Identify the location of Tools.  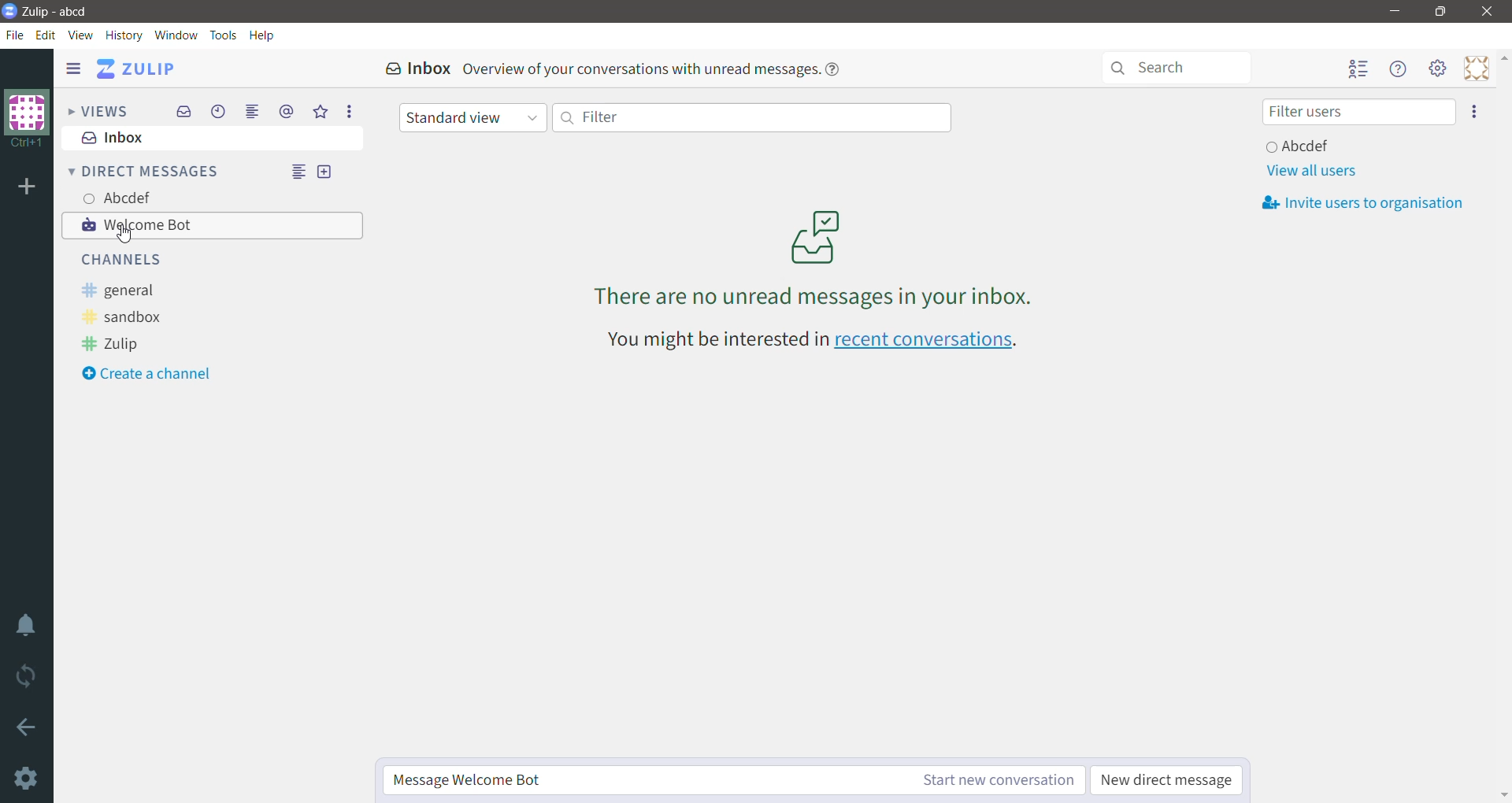
(220, 35).